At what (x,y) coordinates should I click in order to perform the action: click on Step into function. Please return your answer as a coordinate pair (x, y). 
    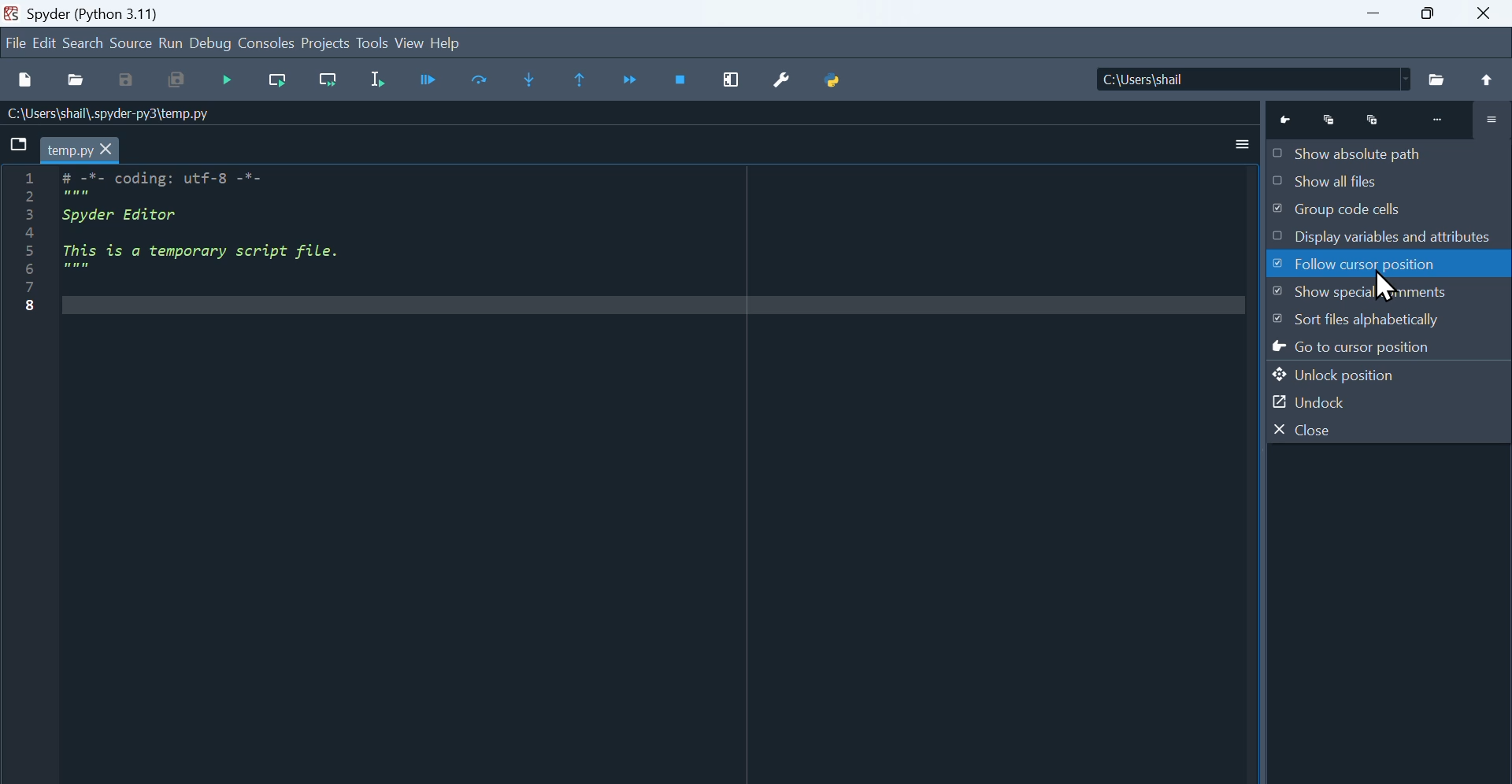
    Looking at the image, I should click on (517, 82).